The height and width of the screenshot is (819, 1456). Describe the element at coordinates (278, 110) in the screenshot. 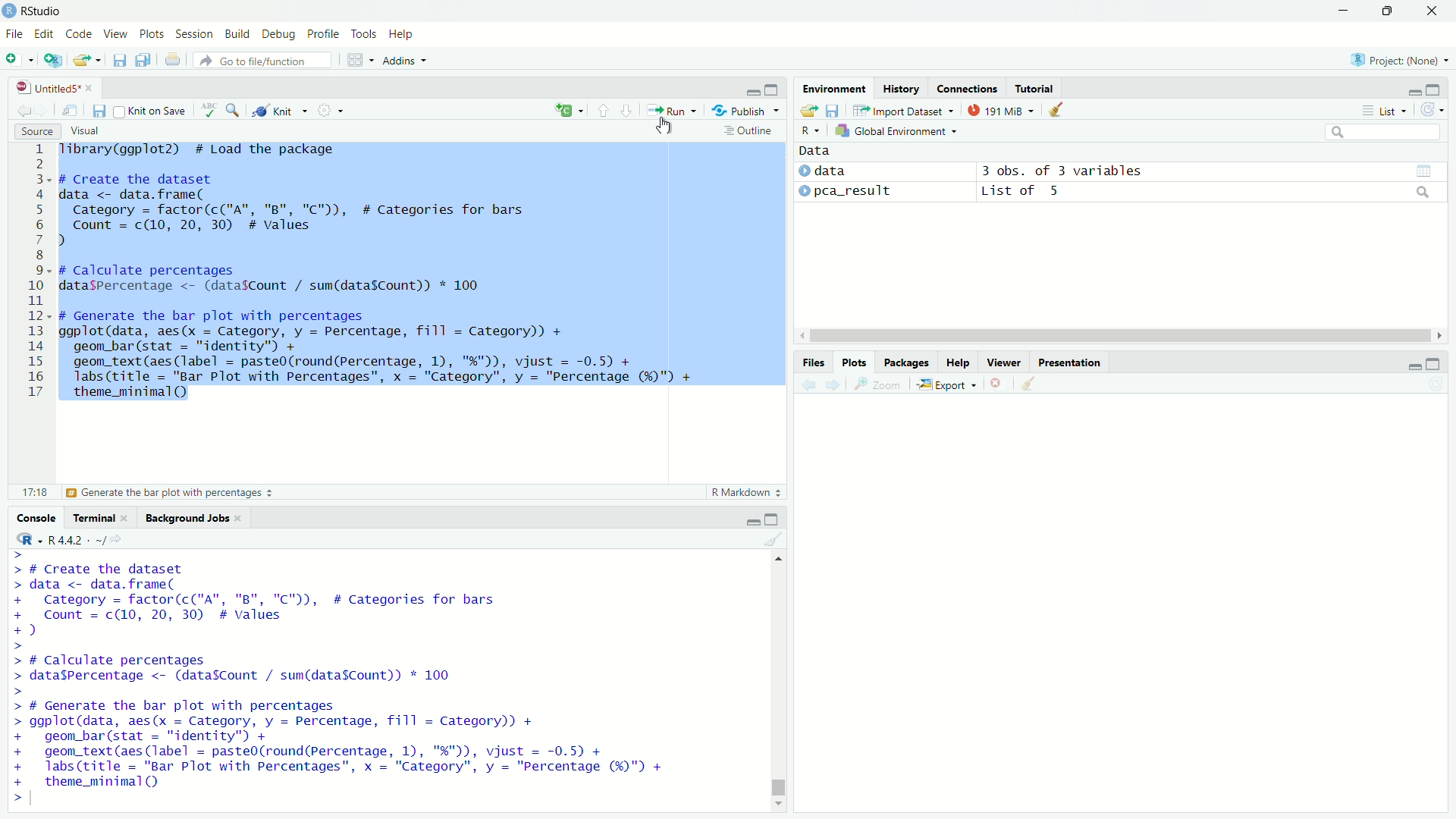

I see `knit` at that location.